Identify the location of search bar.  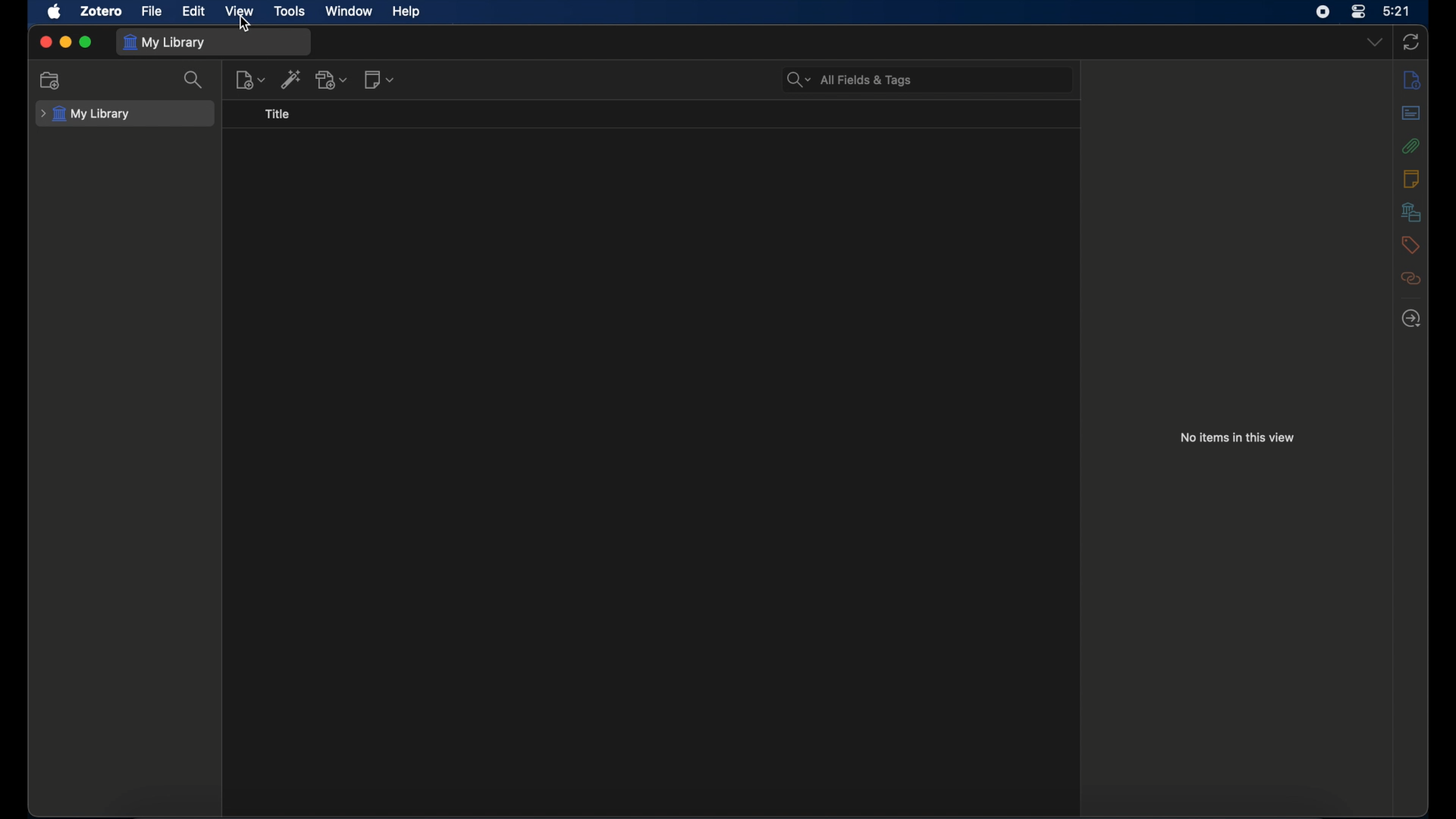
(849, 80).